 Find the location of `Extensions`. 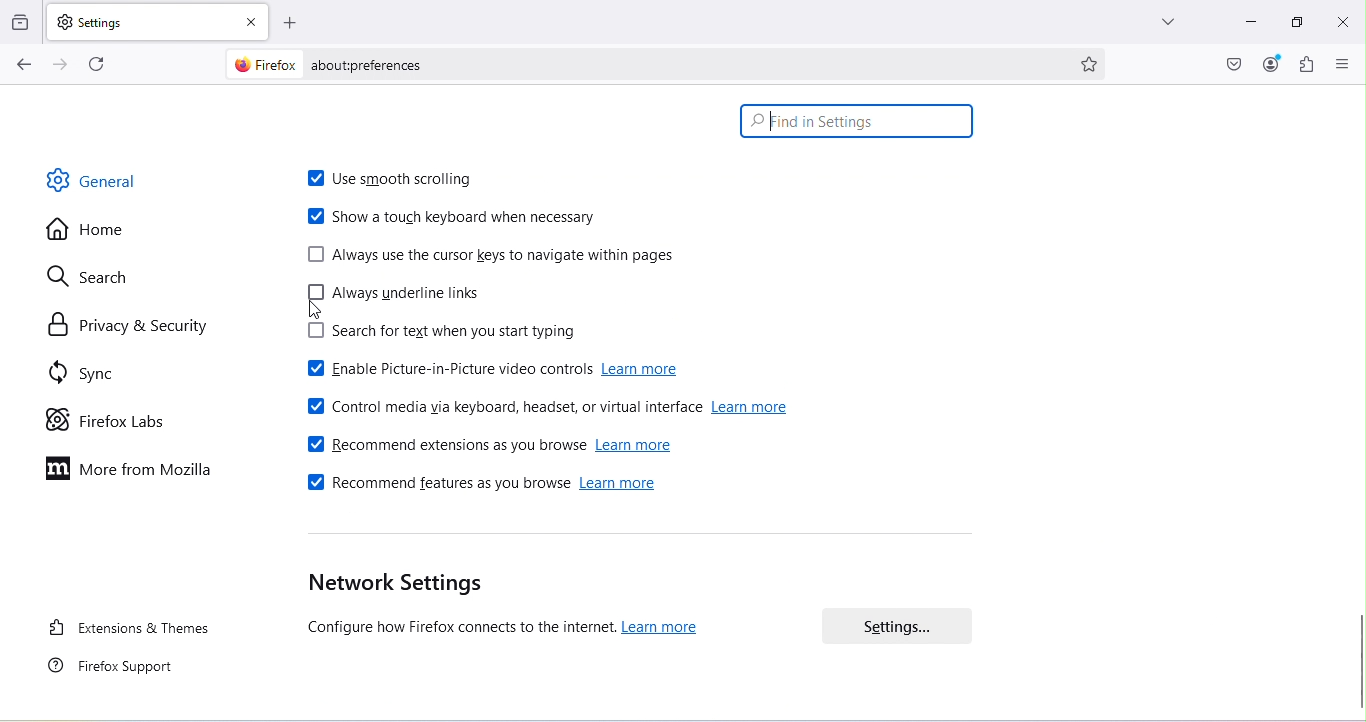

Extensions is located at coordinates (1303, 66).